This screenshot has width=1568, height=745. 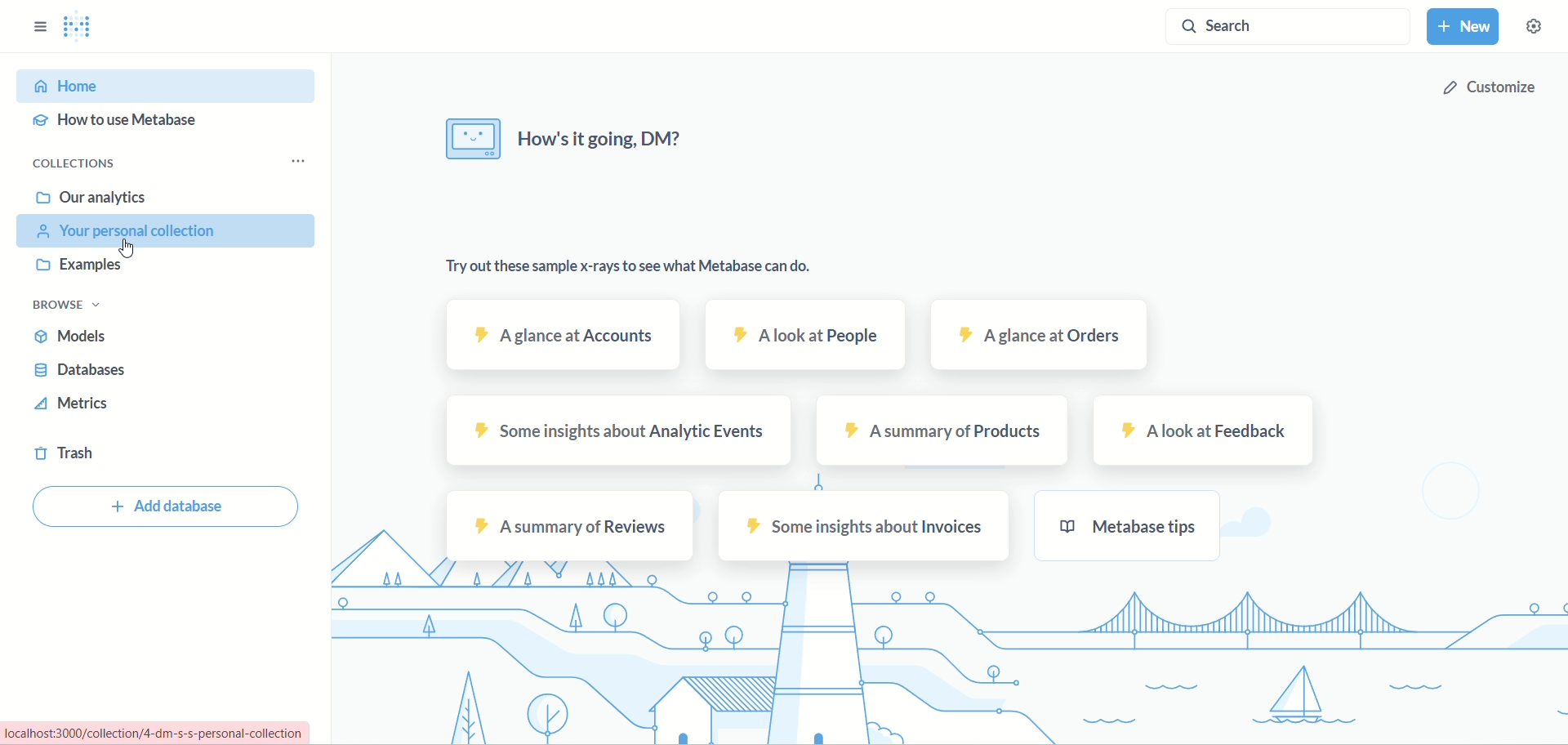 I want to click on collections, so click(x=79, y=163).